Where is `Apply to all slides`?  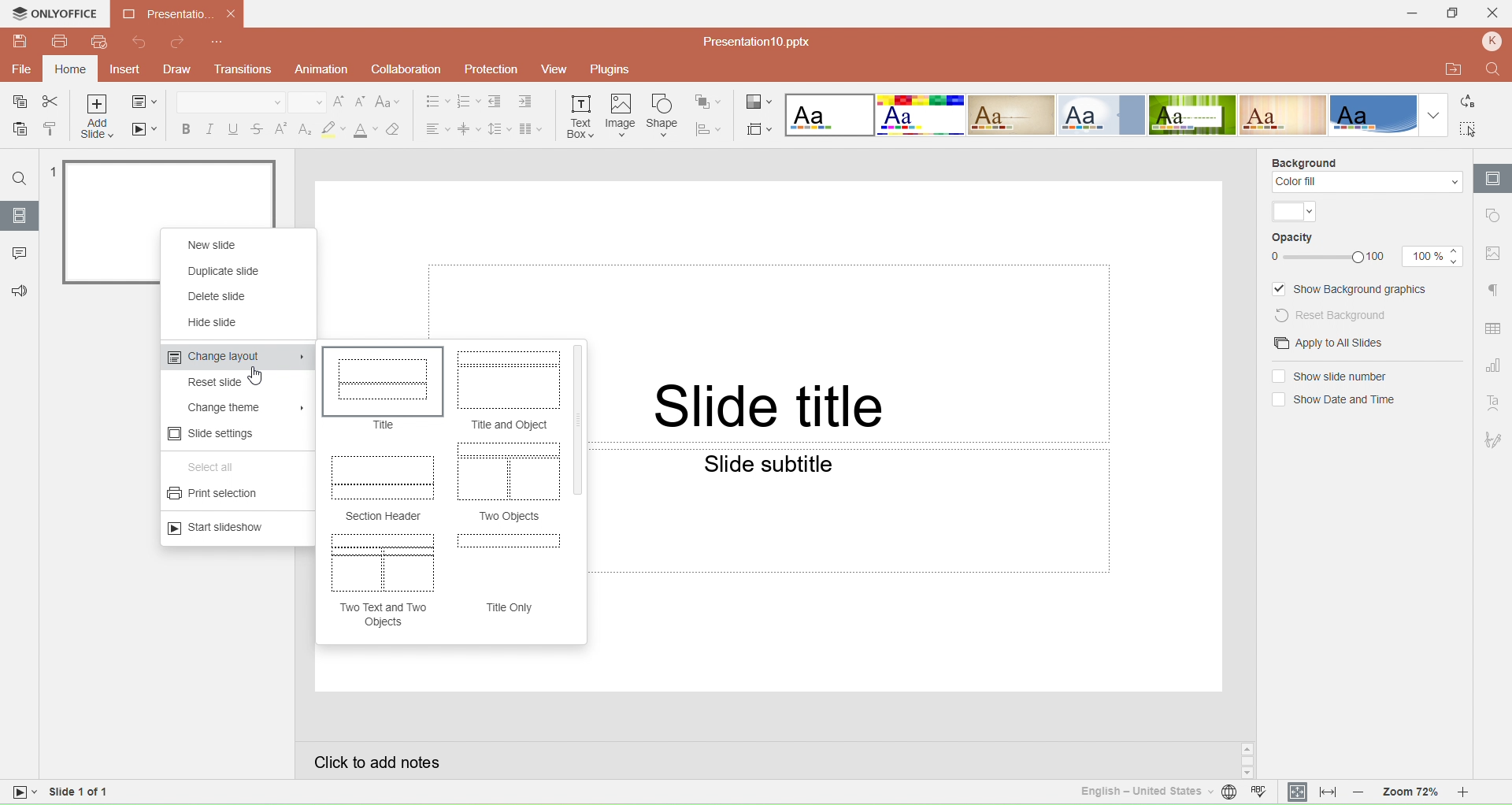
Apply to all slides is located at coordinates (1323, 343).